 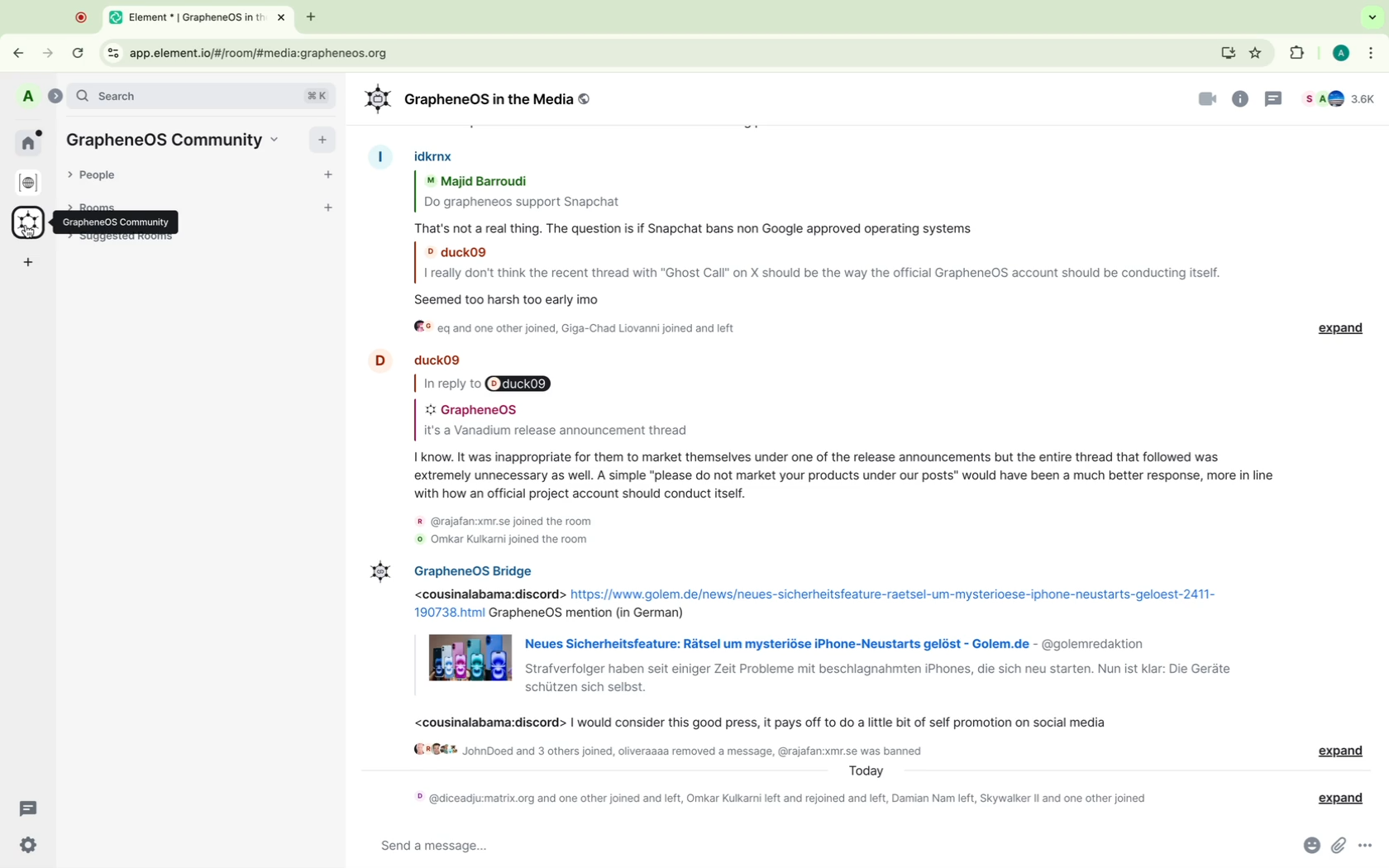 What do you see at coordinates (482, 100) in the screenshot?
I see `GrapheneOS in the media` at bounding box center [482, 100].